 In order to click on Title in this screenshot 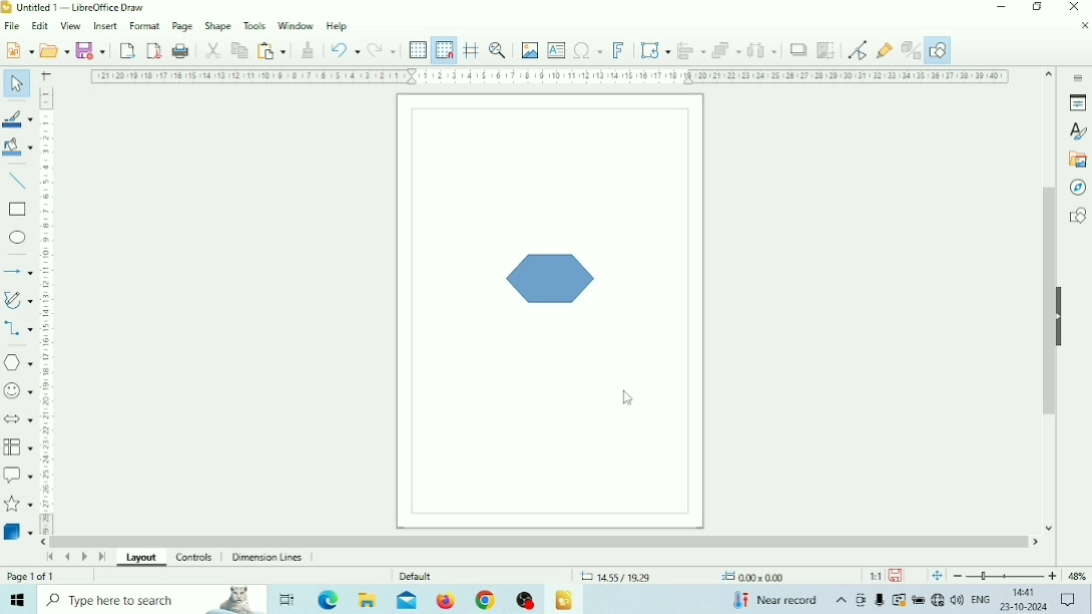, I will do `click(80, 7)`.